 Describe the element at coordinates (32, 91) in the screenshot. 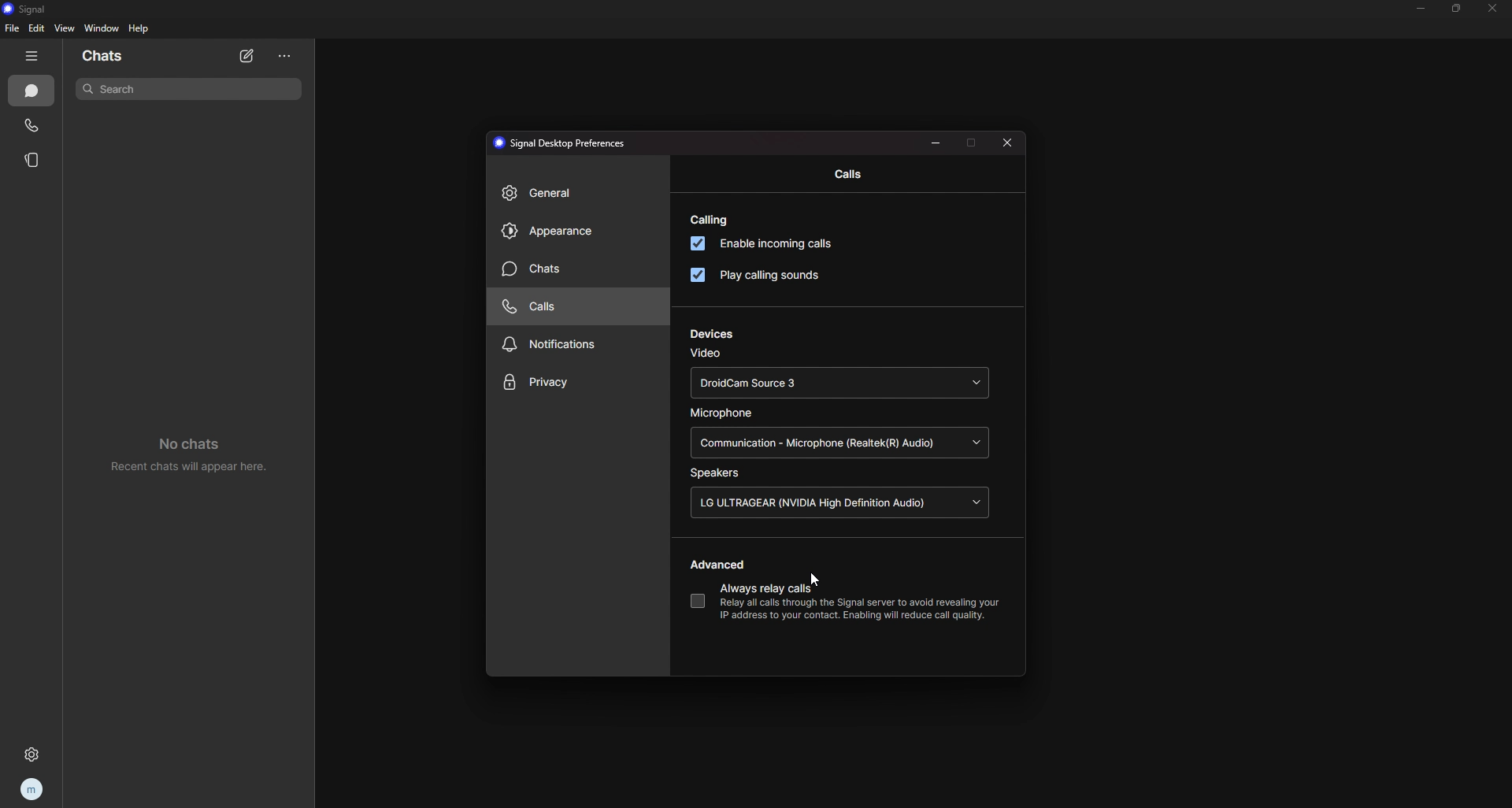

I see `chats` at that location.